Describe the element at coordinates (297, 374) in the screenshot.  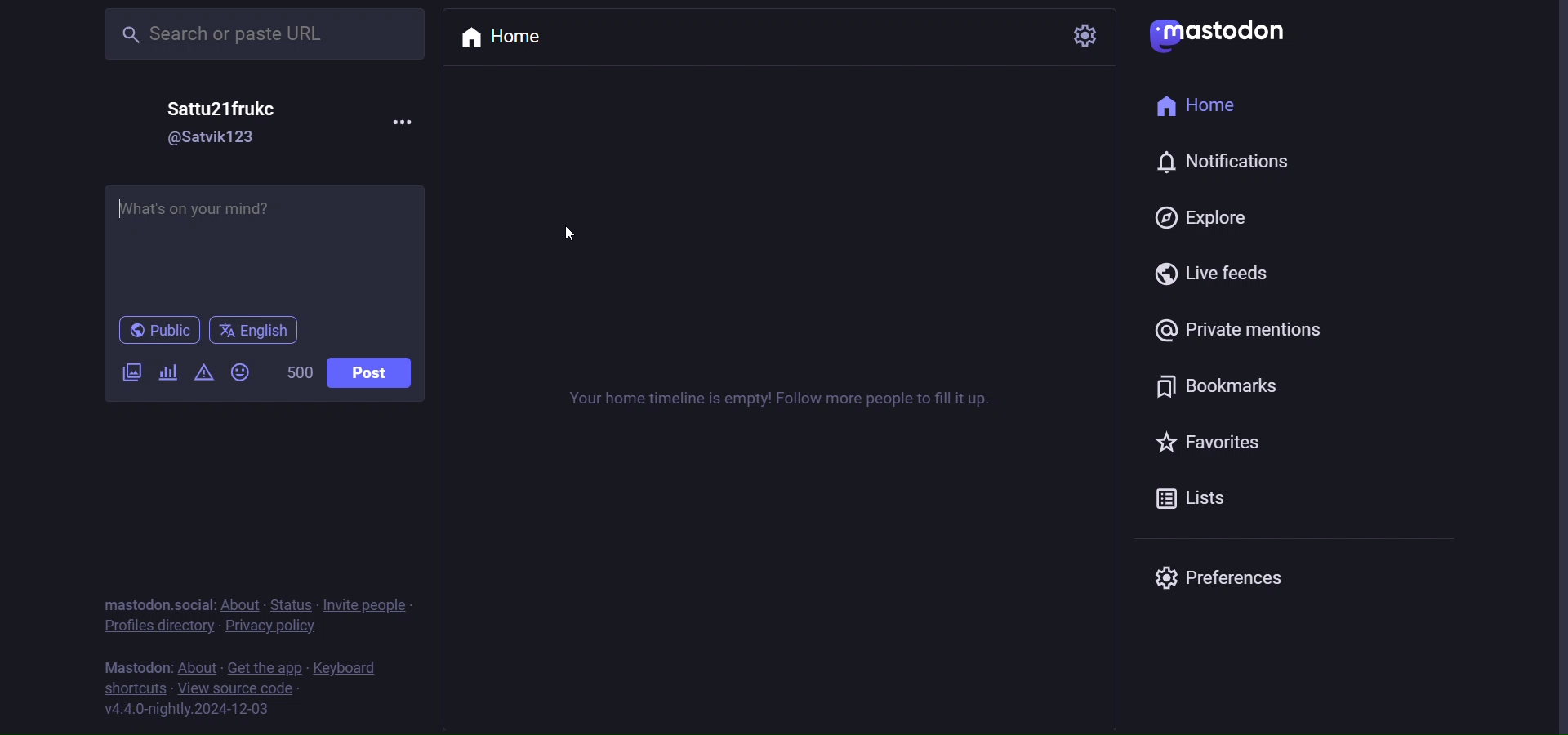
I see `word limit` at that location.